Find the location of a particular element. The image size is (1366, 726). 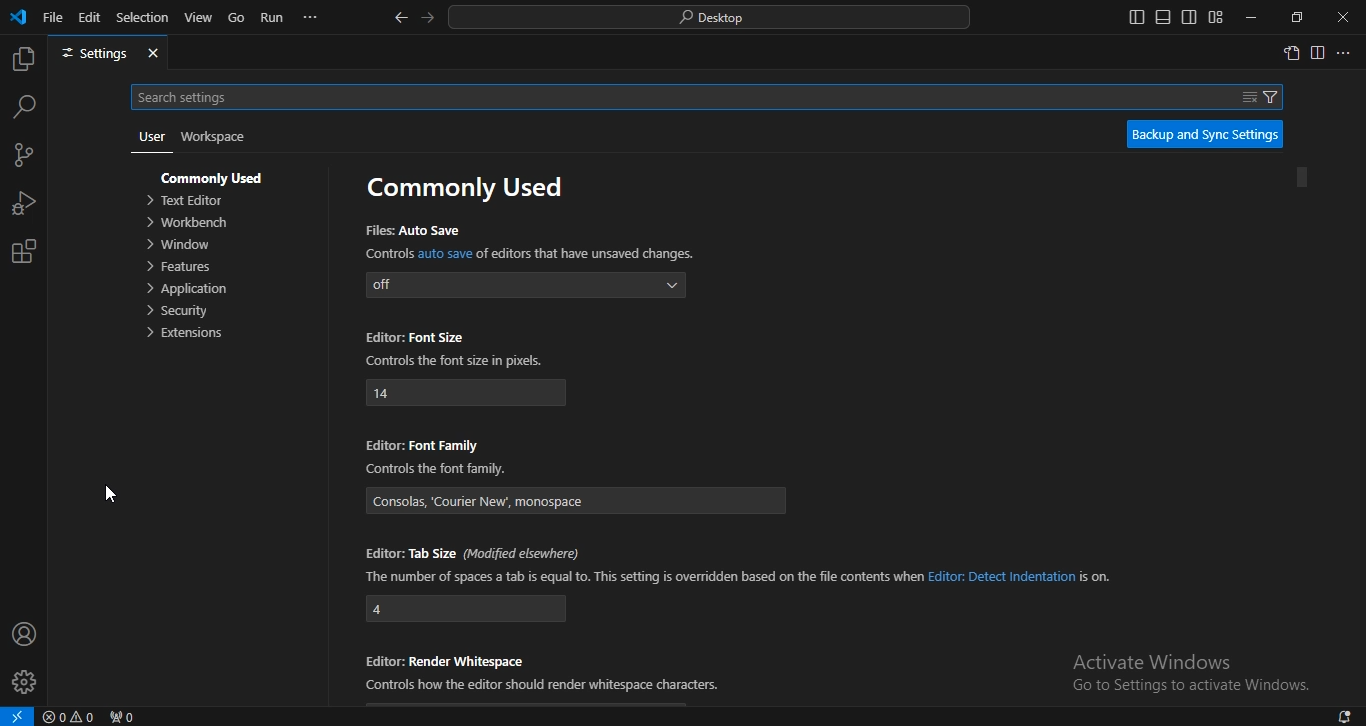

settings is located at coordinates (108, 53).